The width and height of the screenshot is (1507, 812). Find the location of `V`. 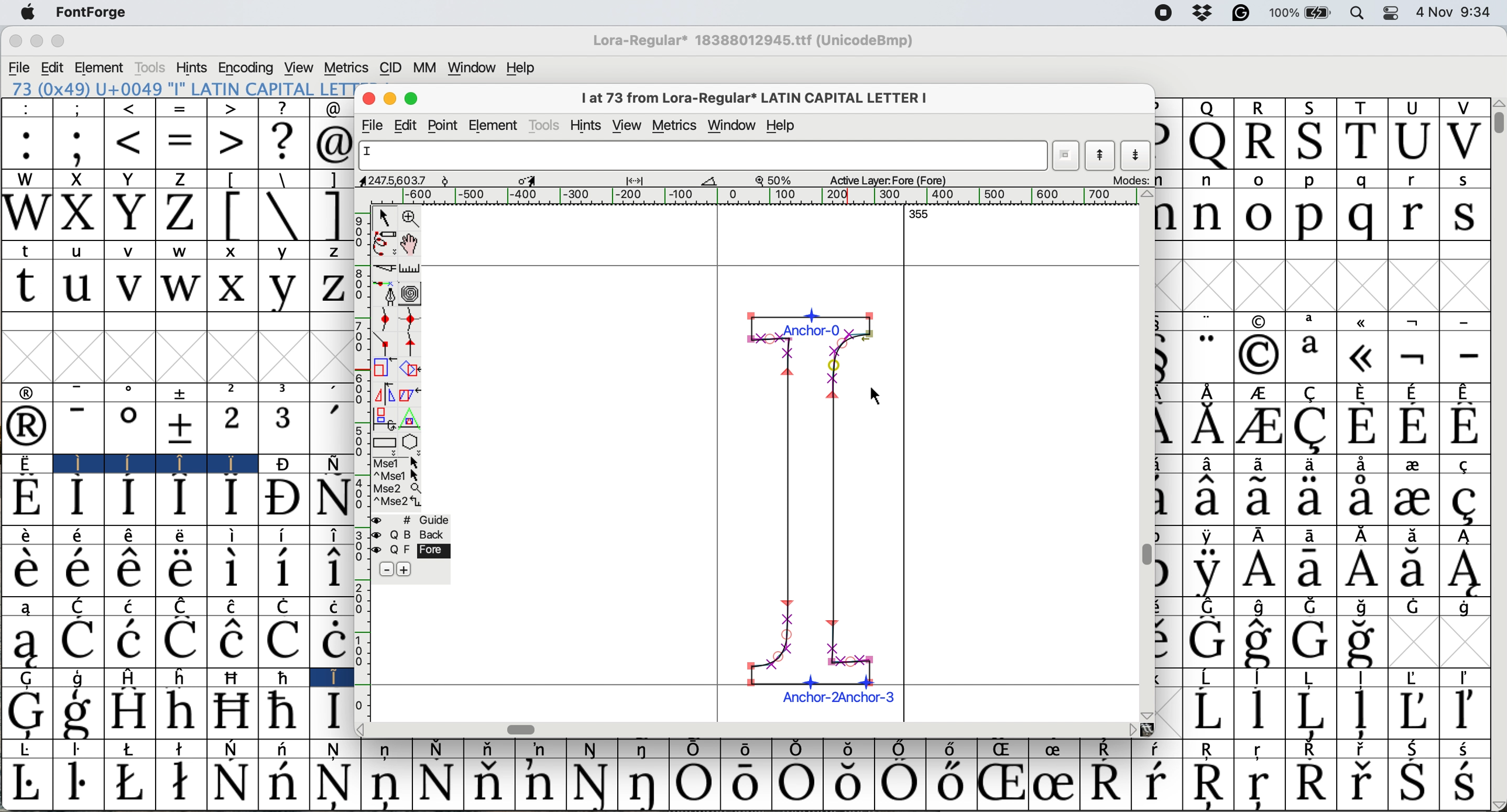

V is located at coordinates (1464, 142).